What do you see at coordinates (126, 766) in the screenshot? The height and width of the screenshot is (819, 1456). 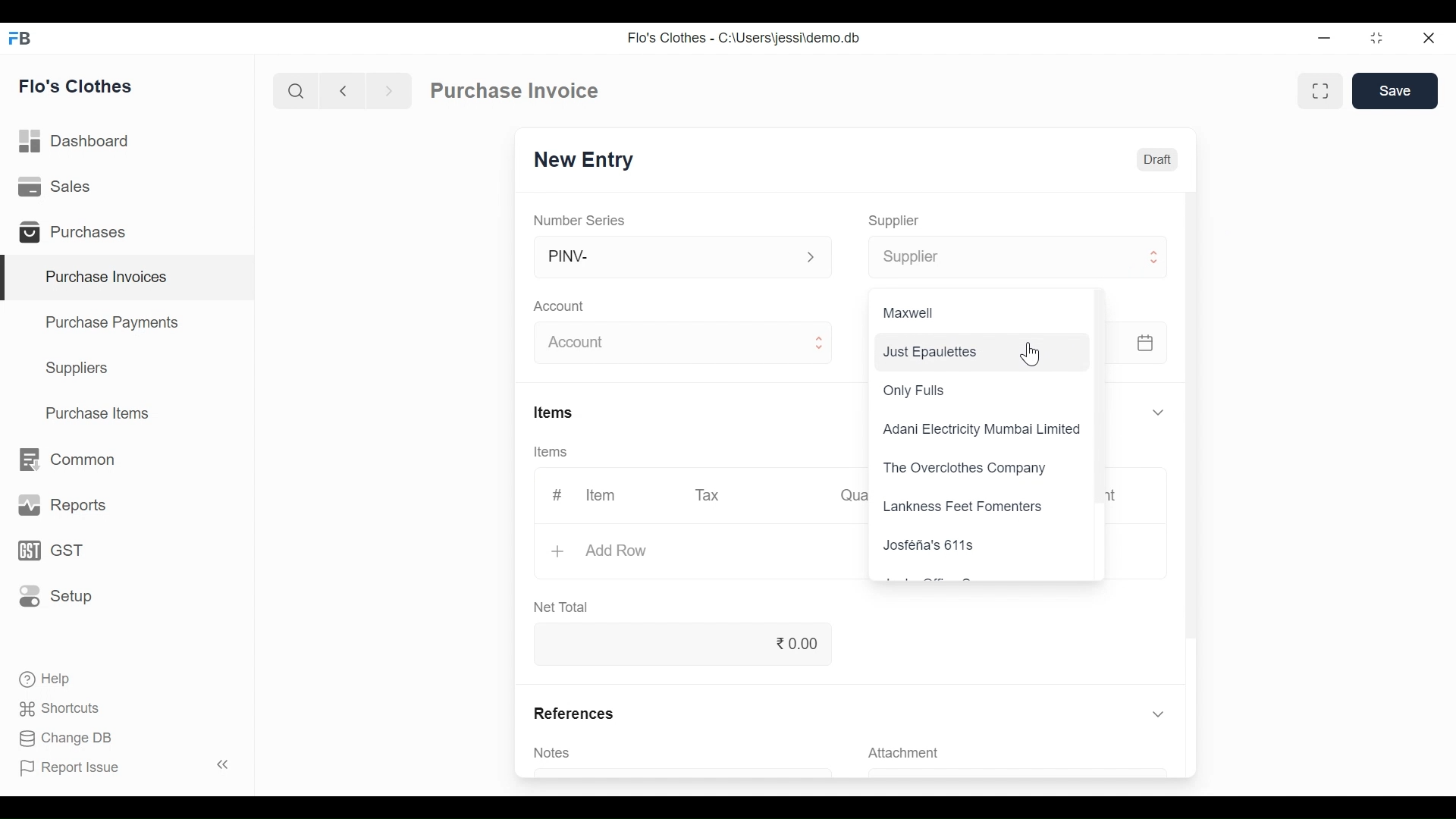 I see `Report Issue` at bounding box center [126, 766].